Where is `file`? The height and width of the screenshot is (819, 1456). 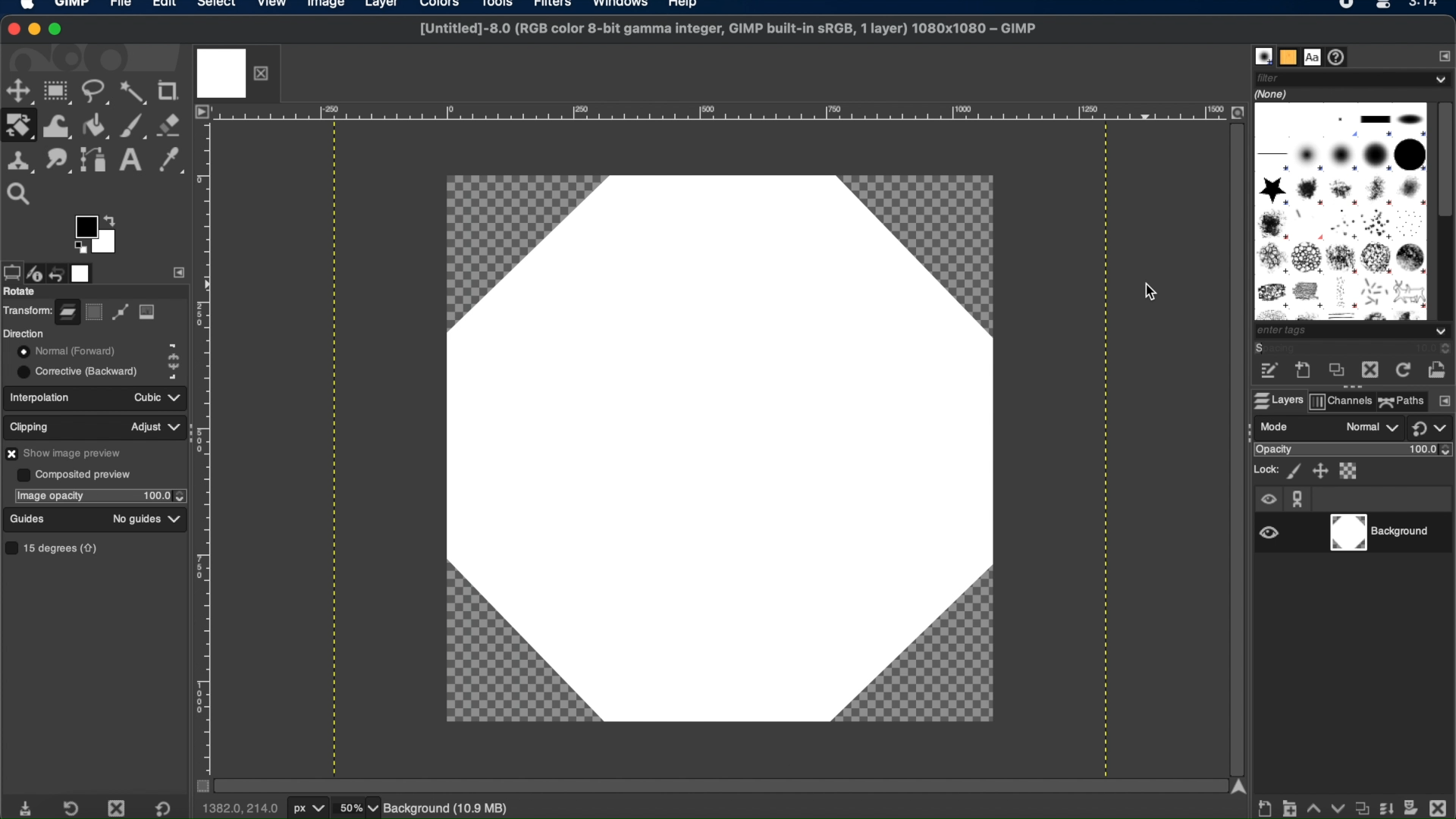 file is located at coordinates (121, 6).